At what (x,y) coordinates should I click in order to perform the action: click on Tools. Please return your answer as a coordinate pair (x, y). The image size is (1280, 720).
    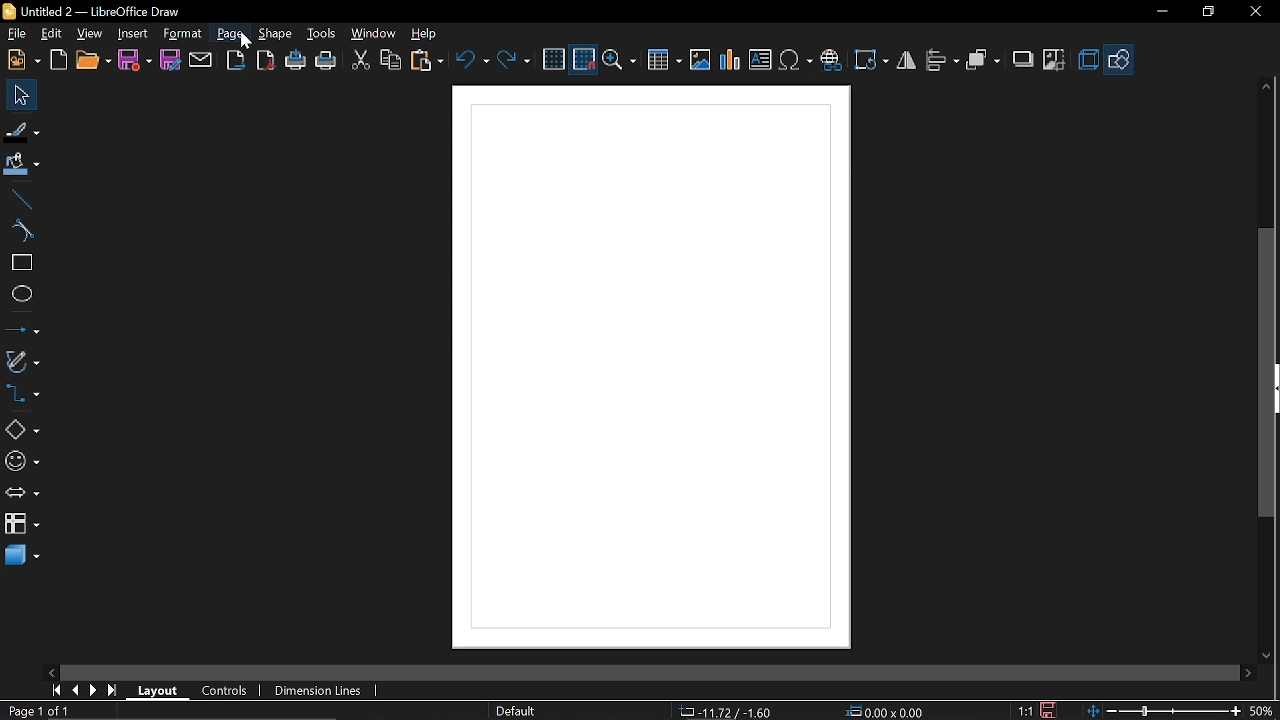
    Looking at the image, I should click on (323, 34).